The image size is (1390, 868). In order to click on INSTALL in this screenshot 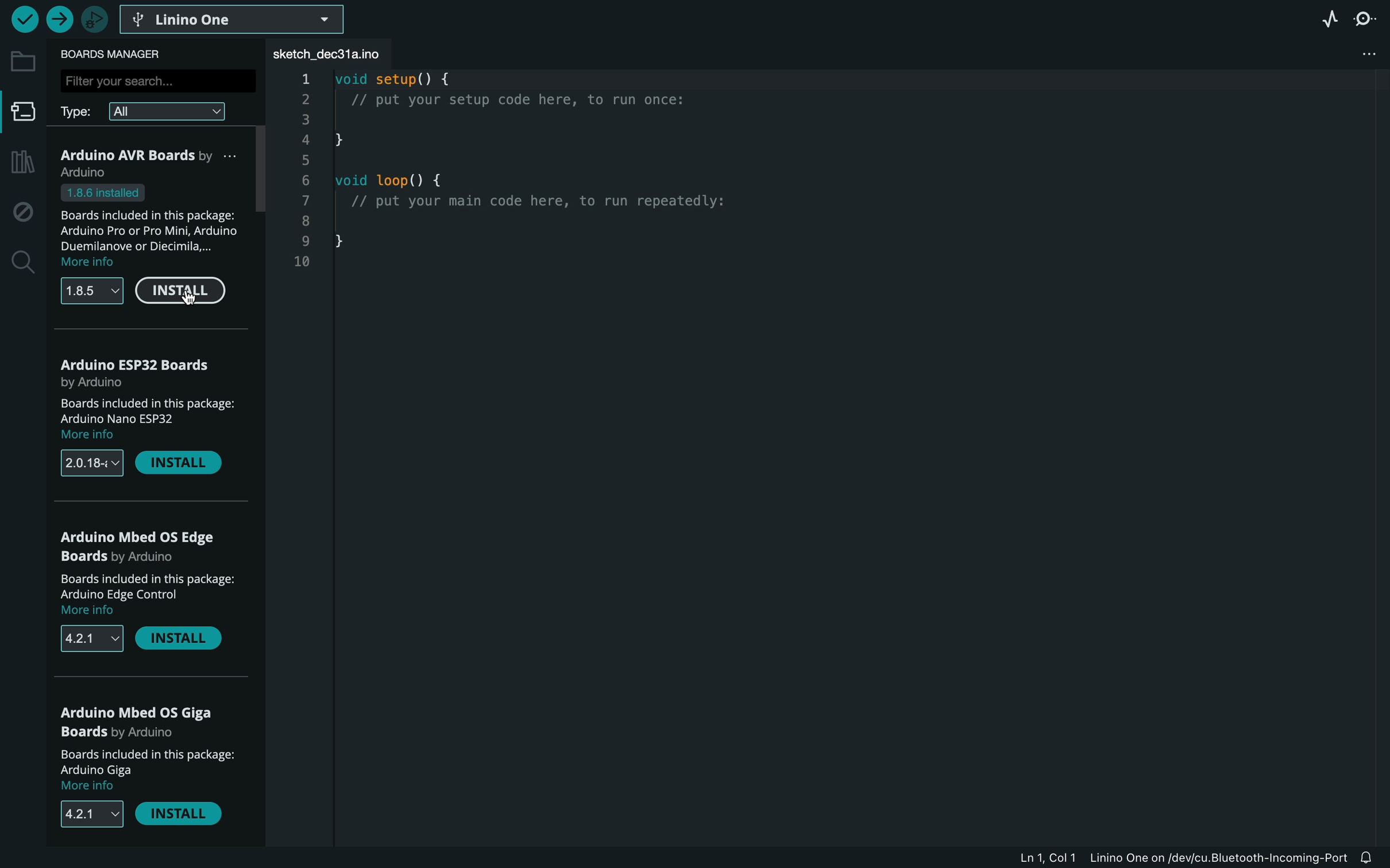, I will do `click(183, 817)`.